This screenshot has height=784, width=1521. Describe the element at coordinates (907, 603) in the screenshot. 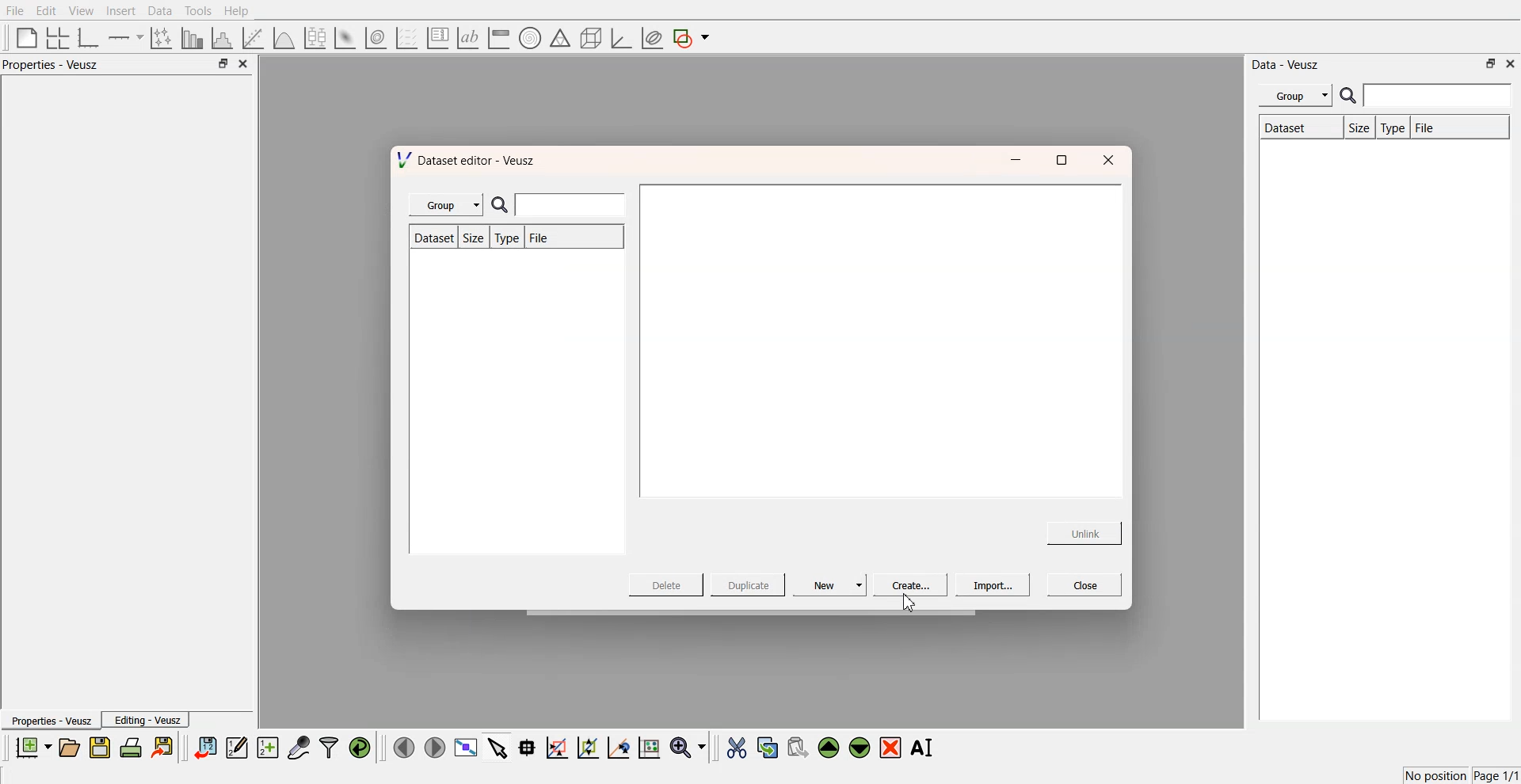

I see `cursor` at that location.